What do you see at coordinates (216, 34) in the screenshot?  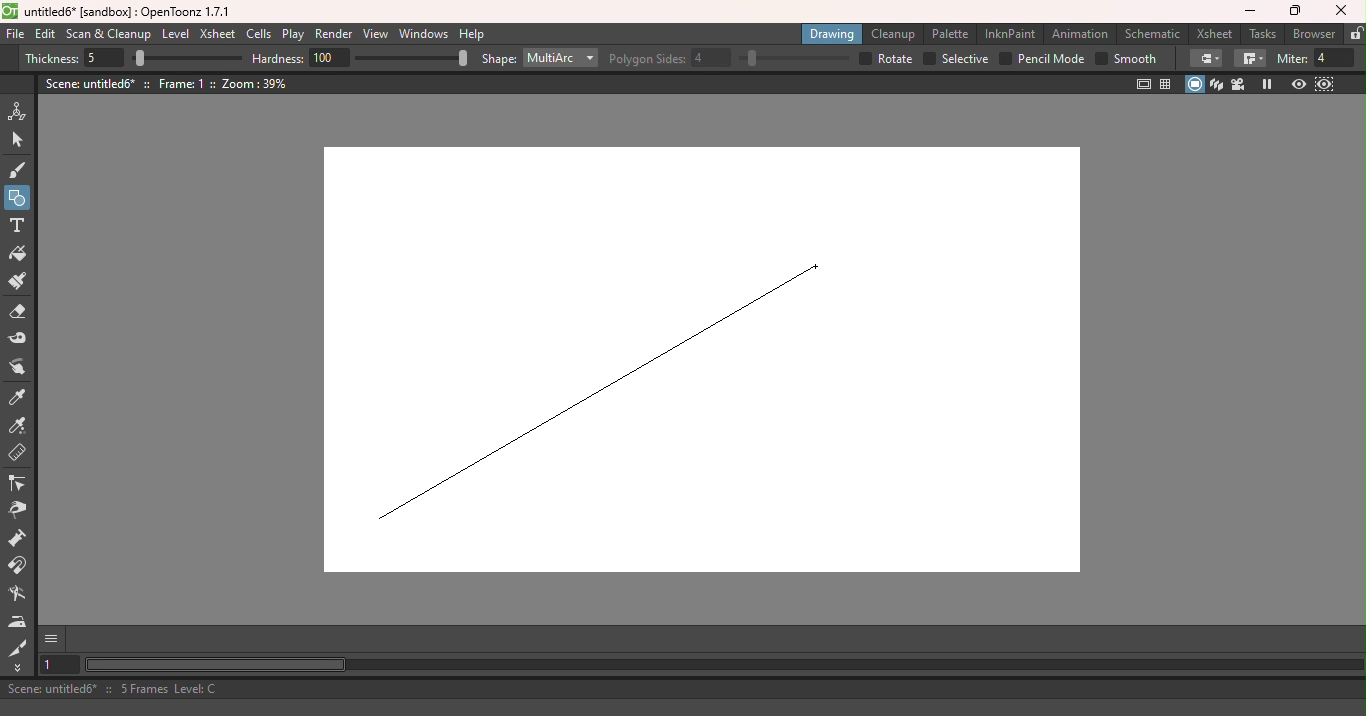 I see `Xsheet` at bounding box center [216, 34].